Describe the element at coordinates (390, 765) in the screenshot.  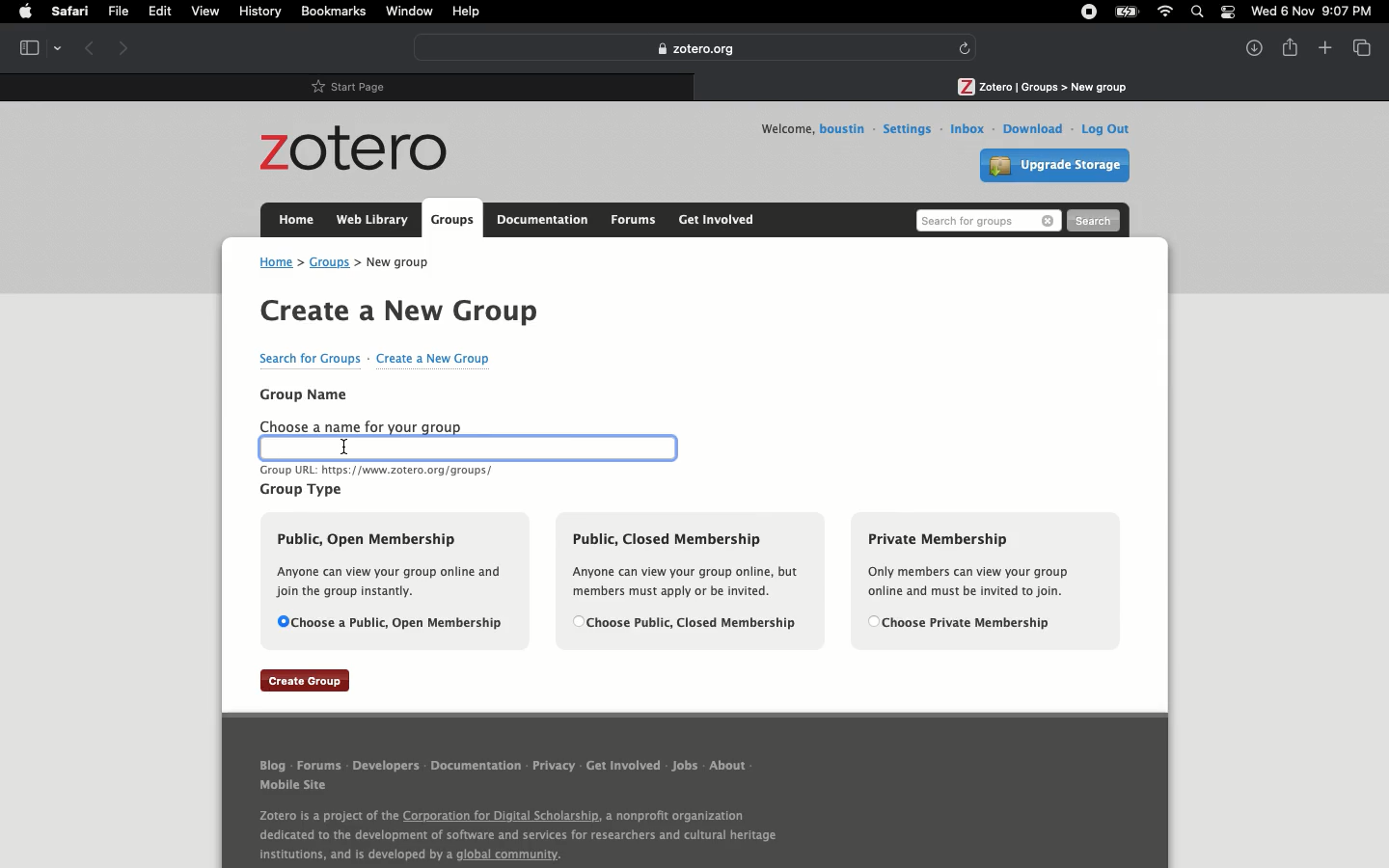
I see `Developers` at that location.